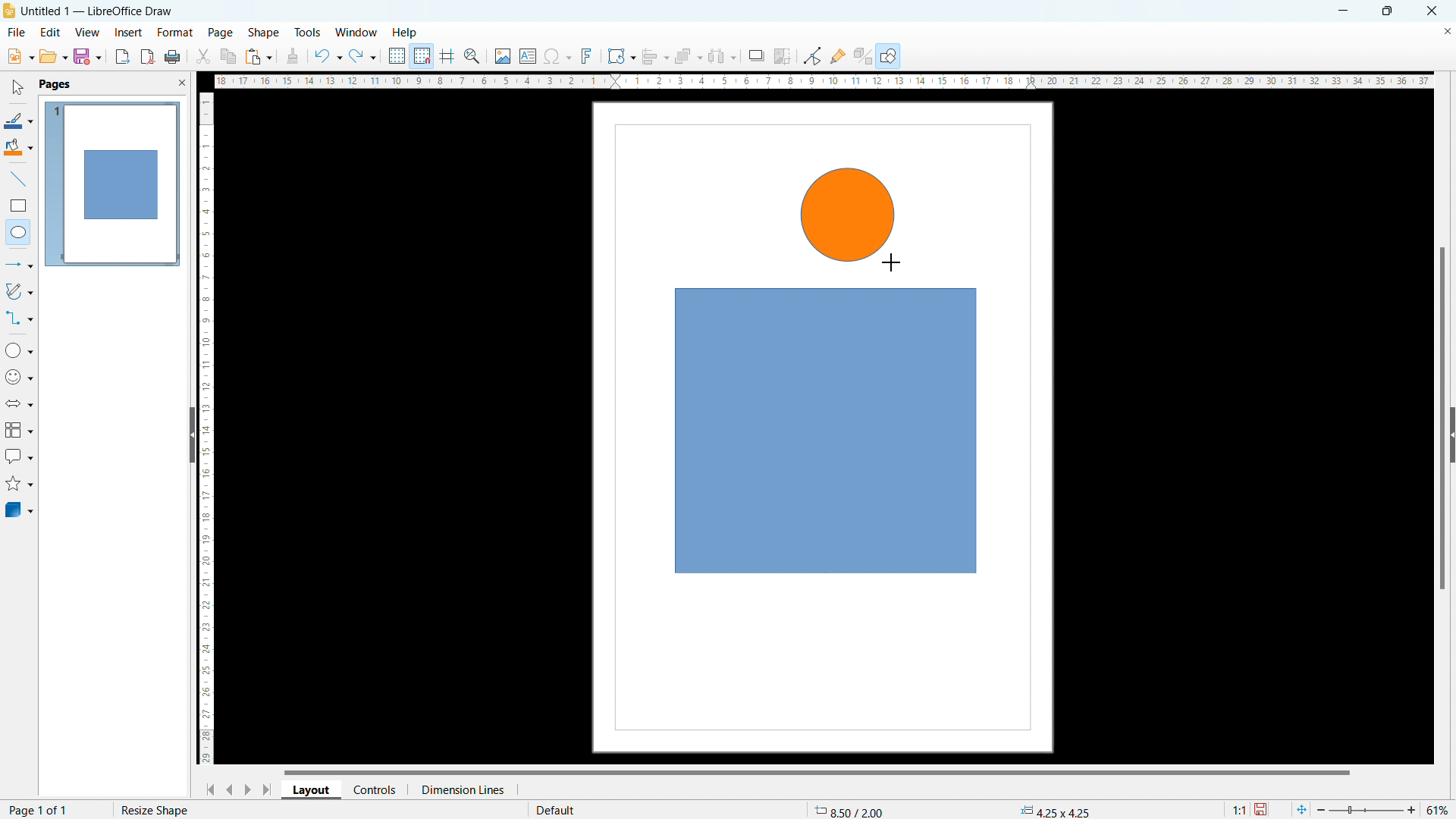  Describe the element at coordinates (472, 58) in the screenshot. I see `zoom and pan` at that location.